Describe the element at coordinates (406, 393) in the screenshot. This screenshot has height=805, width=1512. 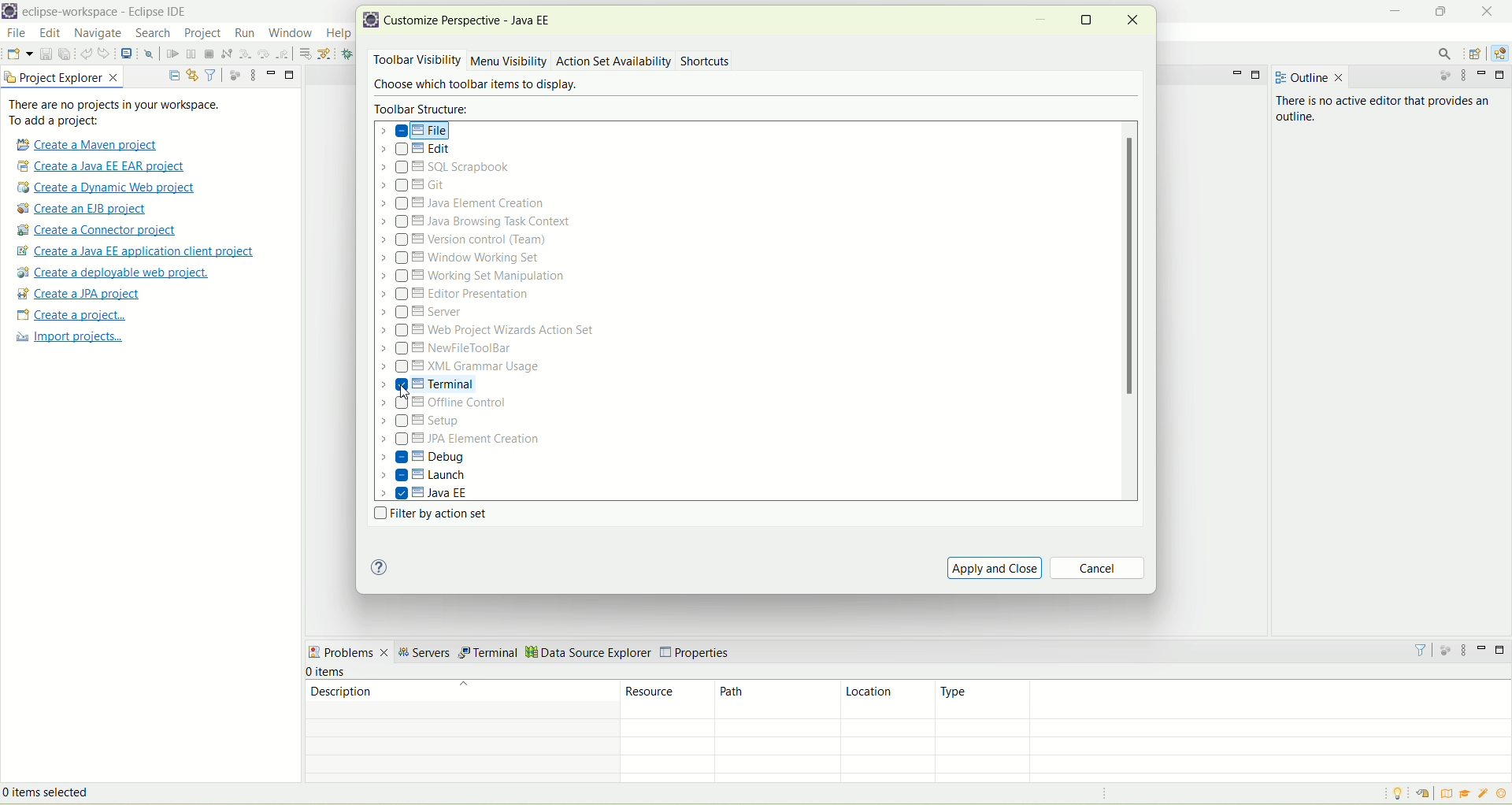
I see `cursor` at that location.